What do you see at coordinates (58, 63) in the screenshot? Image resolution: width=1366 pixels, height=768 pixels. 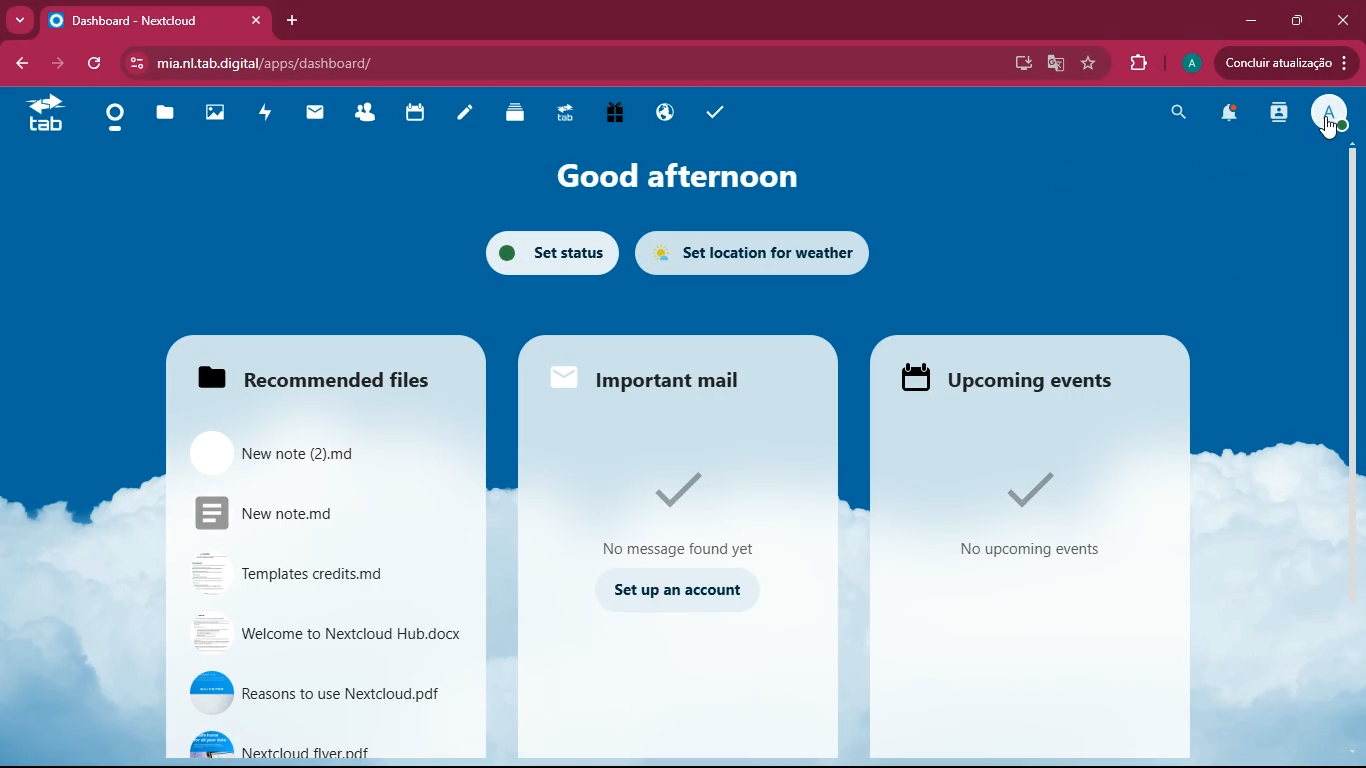 I see `forward` at bounding box center [58, 63].